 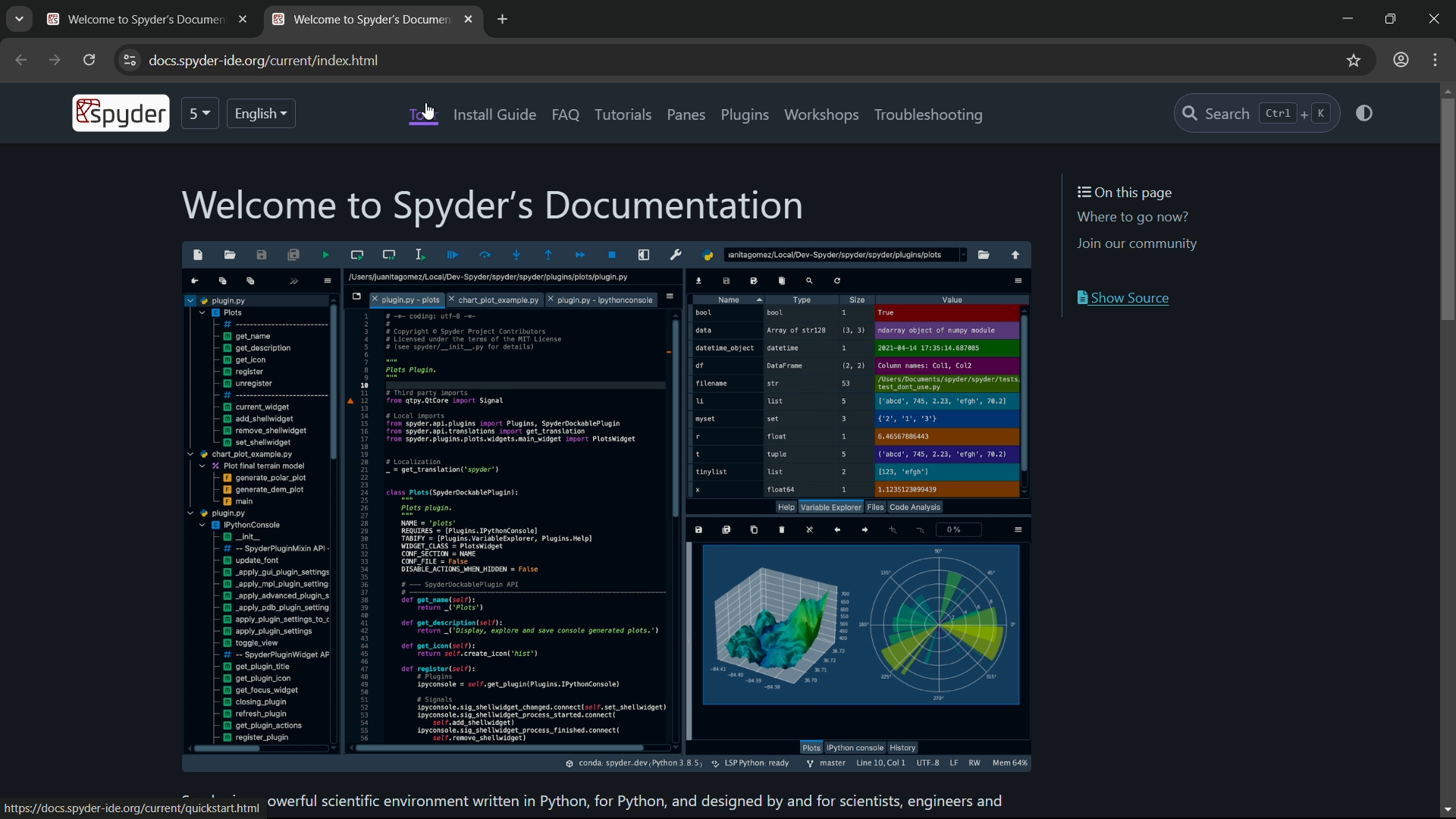 What do you see at coordinates (470, 19) in the screenshot?
I see `close tab` at bounding box center [470, 19].